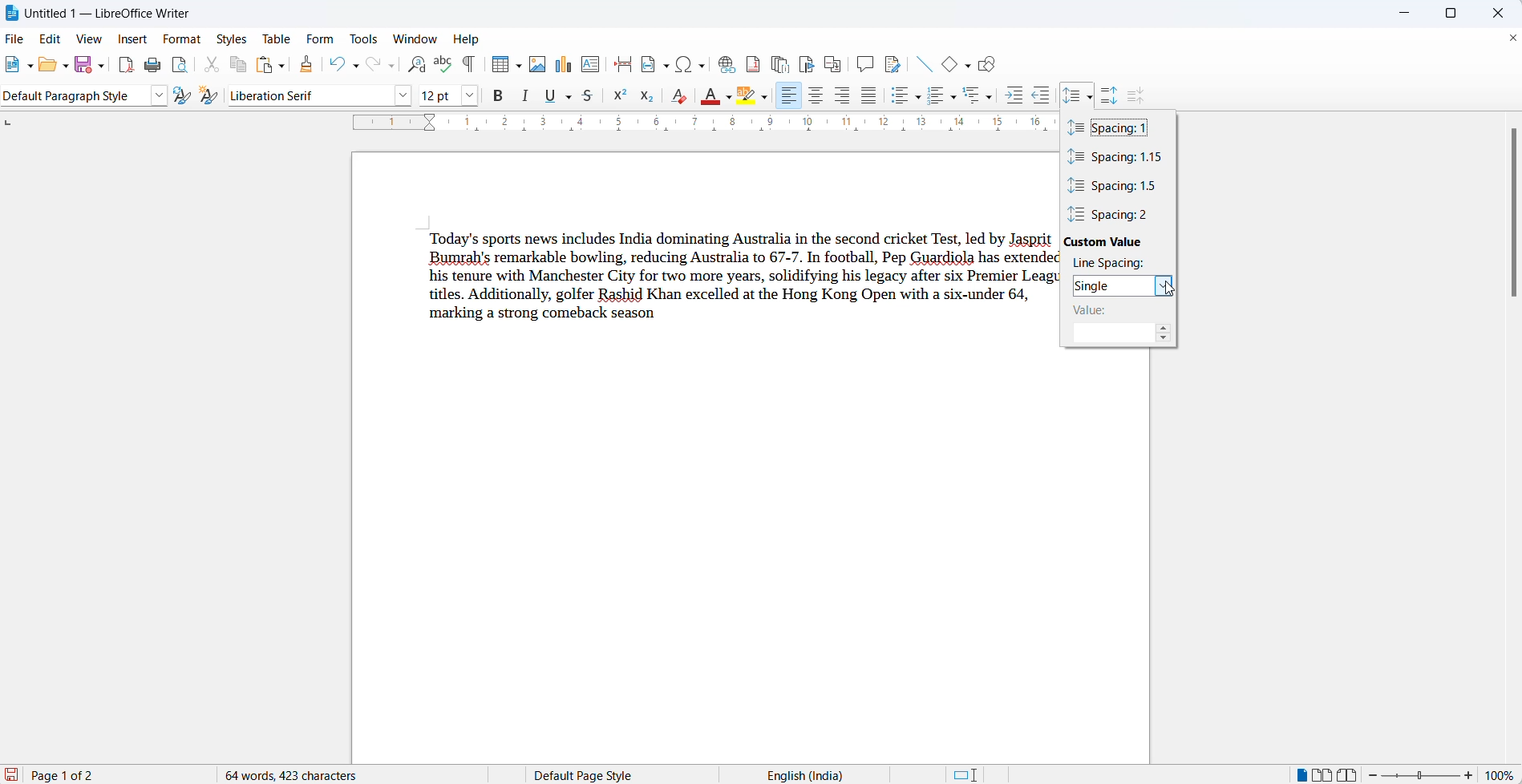 This screenshot has width=1522, height=784. What do you see at coordinates (300, 774) in the screenshot?
I see `64 words 423 characters ` at bounding box center [300, 774].